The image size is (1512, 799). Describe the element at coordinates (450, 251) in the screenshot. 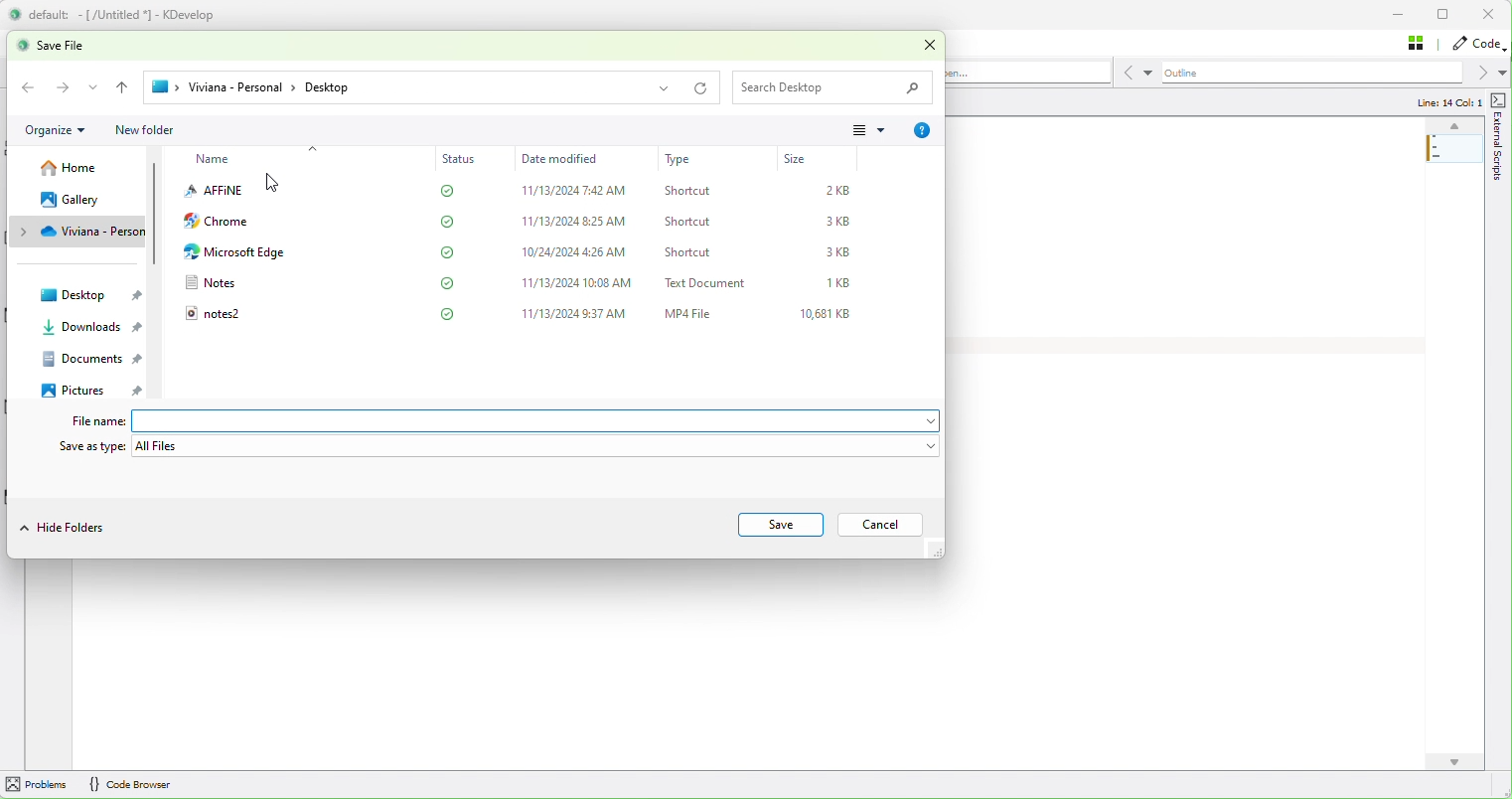

I see `saved to cloud` at that location.